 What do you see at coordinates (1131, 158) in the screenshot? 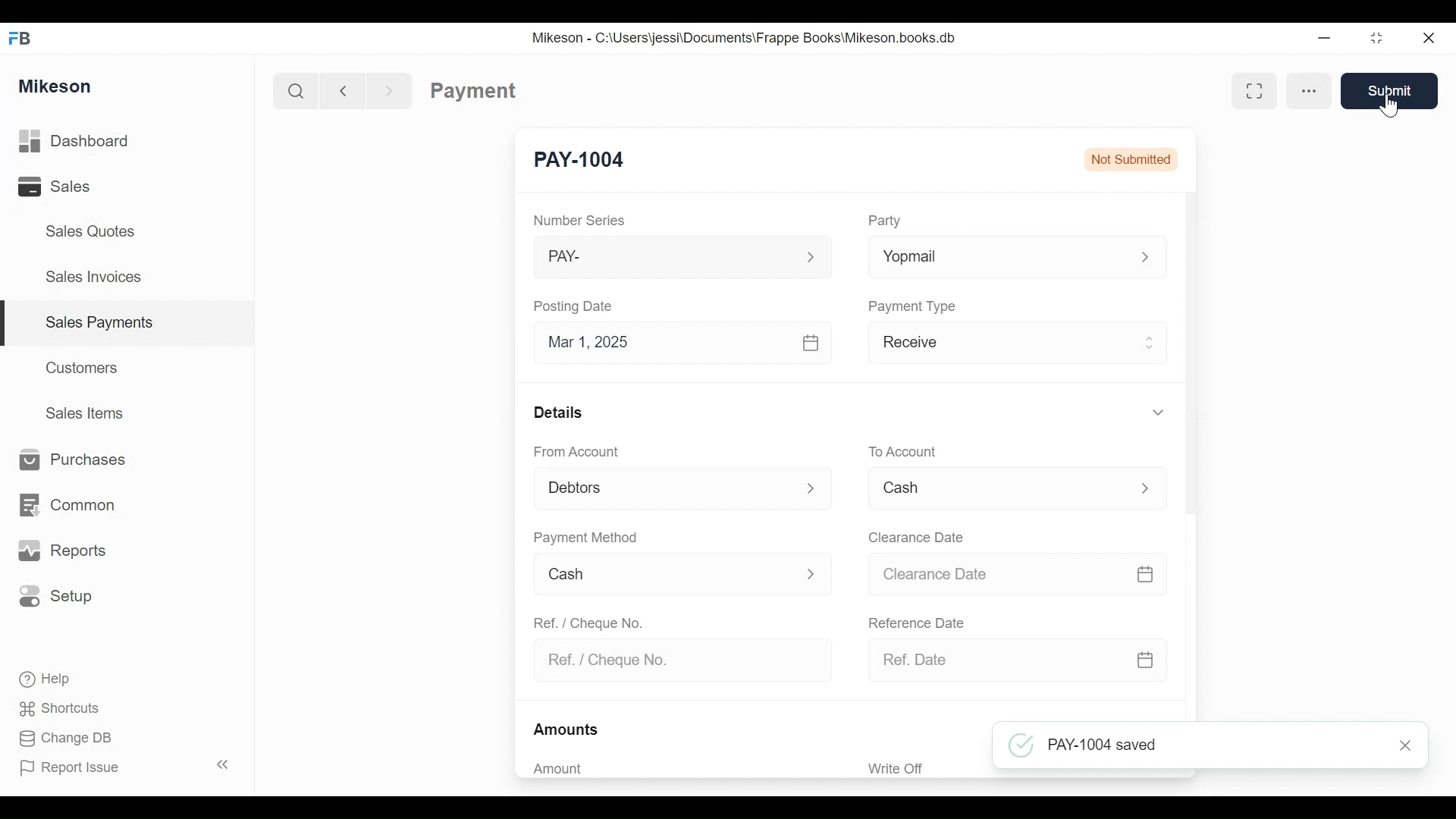
I see `Not submitted` at bounding box center [1131, 158].